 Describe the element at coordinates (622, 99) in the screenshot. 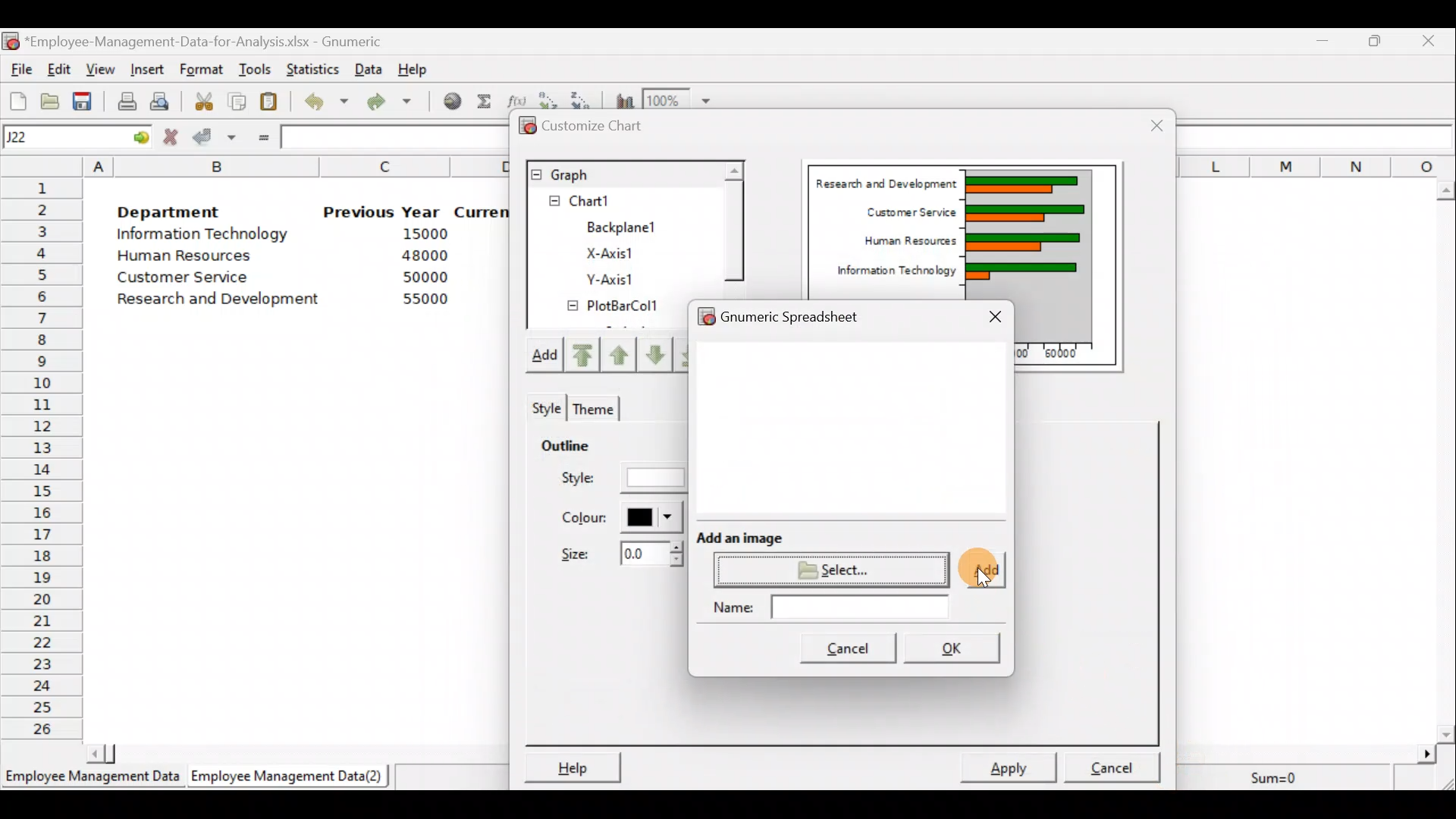

I see `Insert a chart` at that location.